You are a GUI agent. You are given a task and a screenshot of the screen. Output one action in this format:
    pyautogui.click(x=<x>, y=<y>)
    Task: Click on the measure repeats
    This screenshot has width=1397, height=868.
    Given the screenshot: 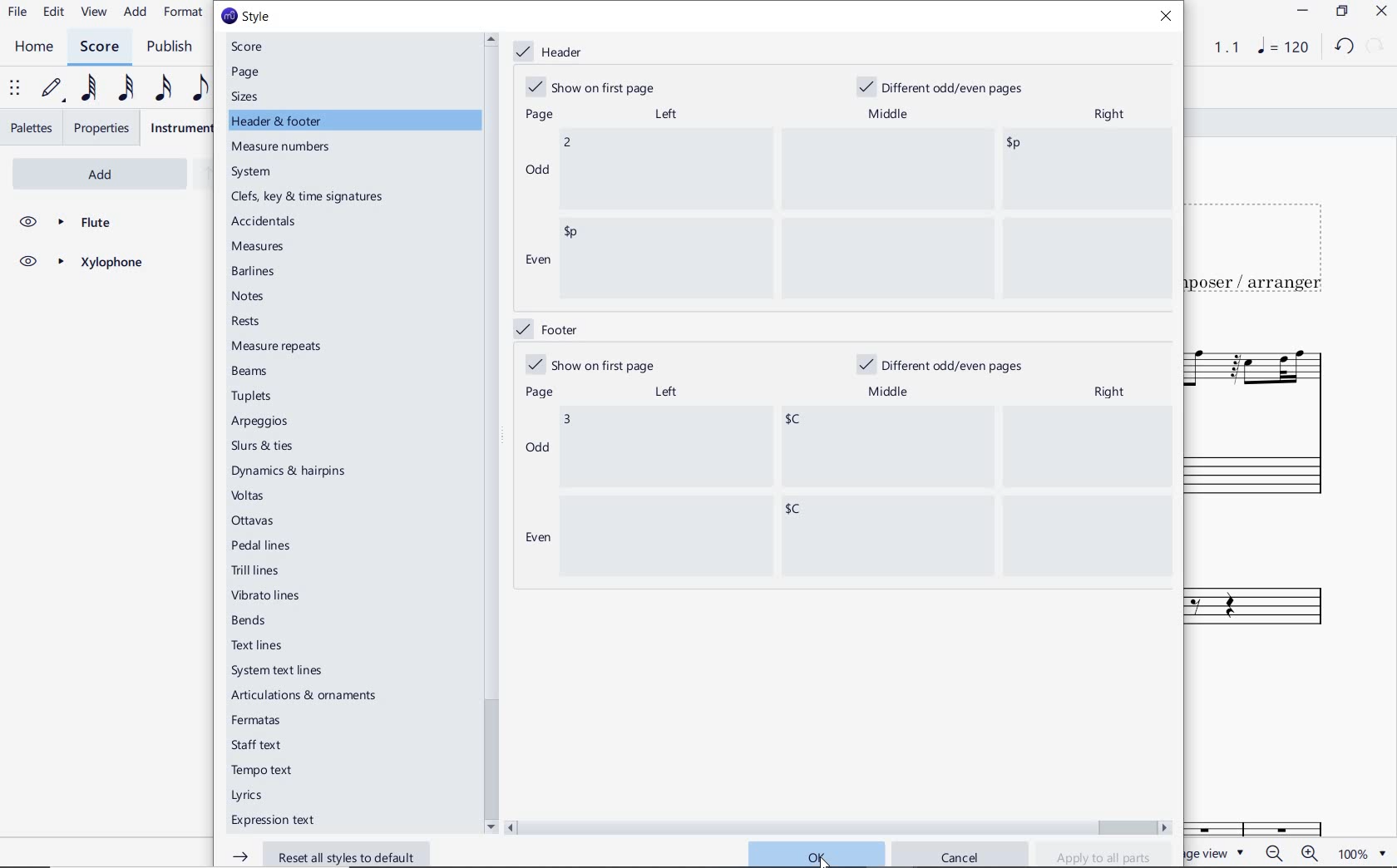 What is the action you would take?
    pyautogui.click(x=277, y=346)
    